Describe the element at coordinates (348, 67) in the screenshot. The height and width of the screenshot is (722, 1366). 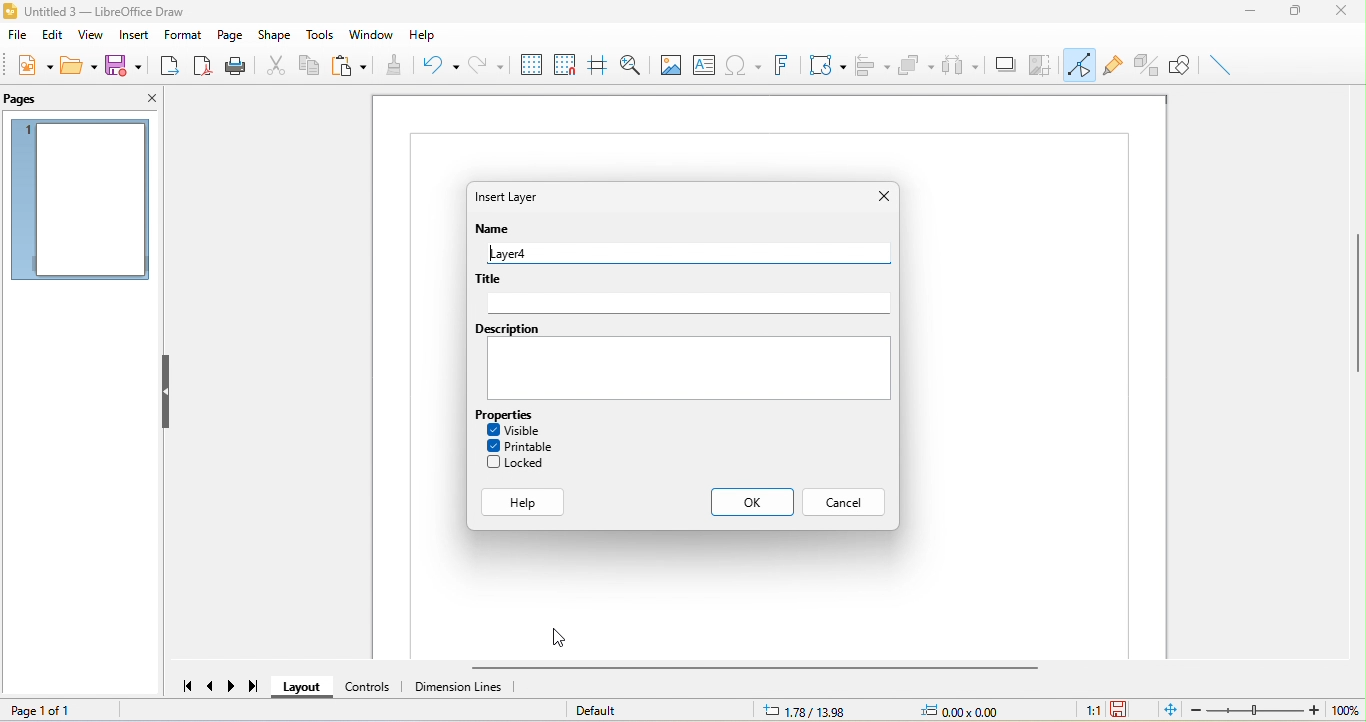
I see `paste` at that location.